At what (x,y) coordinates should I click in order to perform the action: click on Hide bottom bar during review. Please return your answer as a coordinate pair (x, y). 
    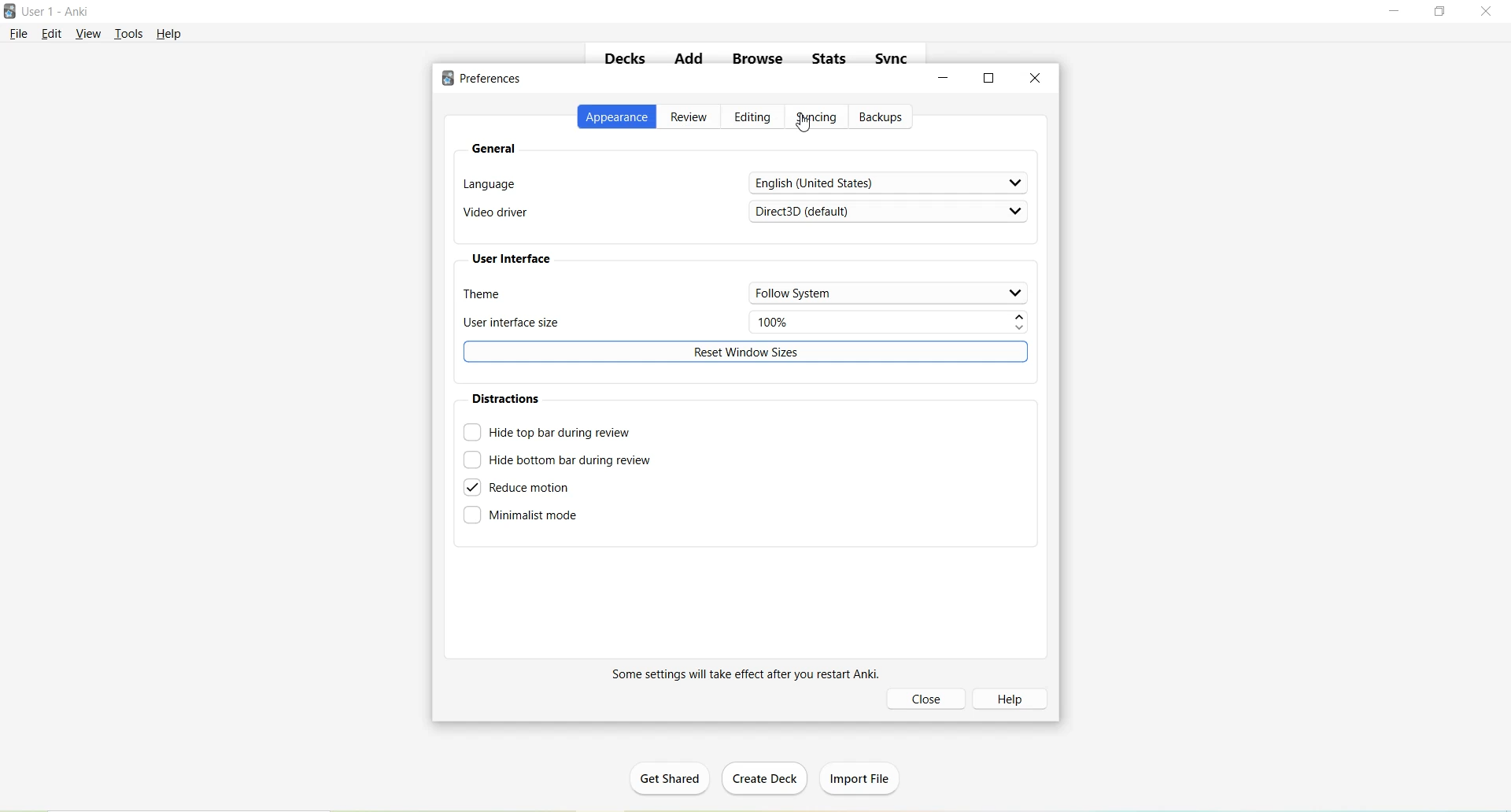
    Looking at the image, I should click on (558, 460).